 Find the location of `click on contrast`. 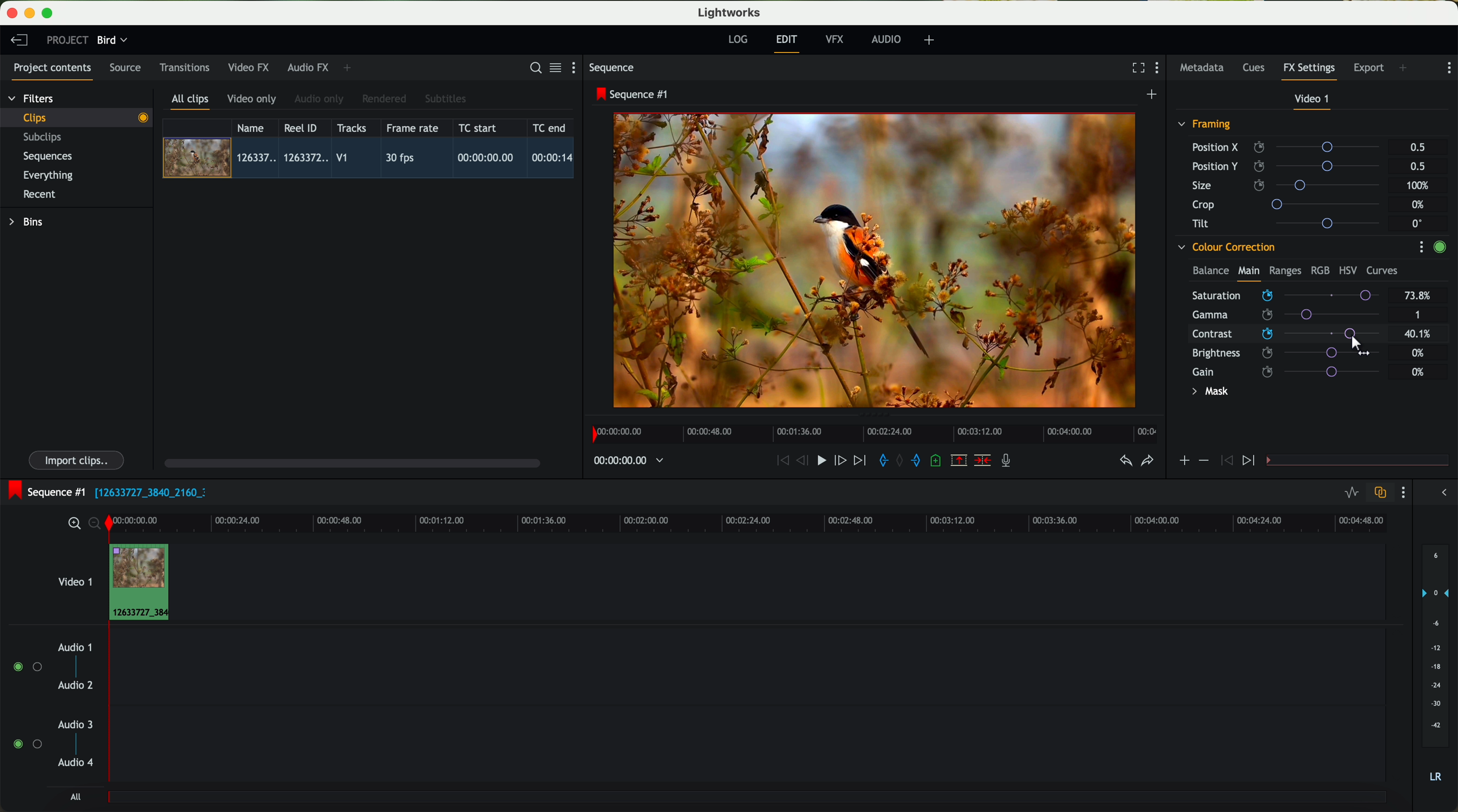

click on contrast is located at coordinates (1286, 335).